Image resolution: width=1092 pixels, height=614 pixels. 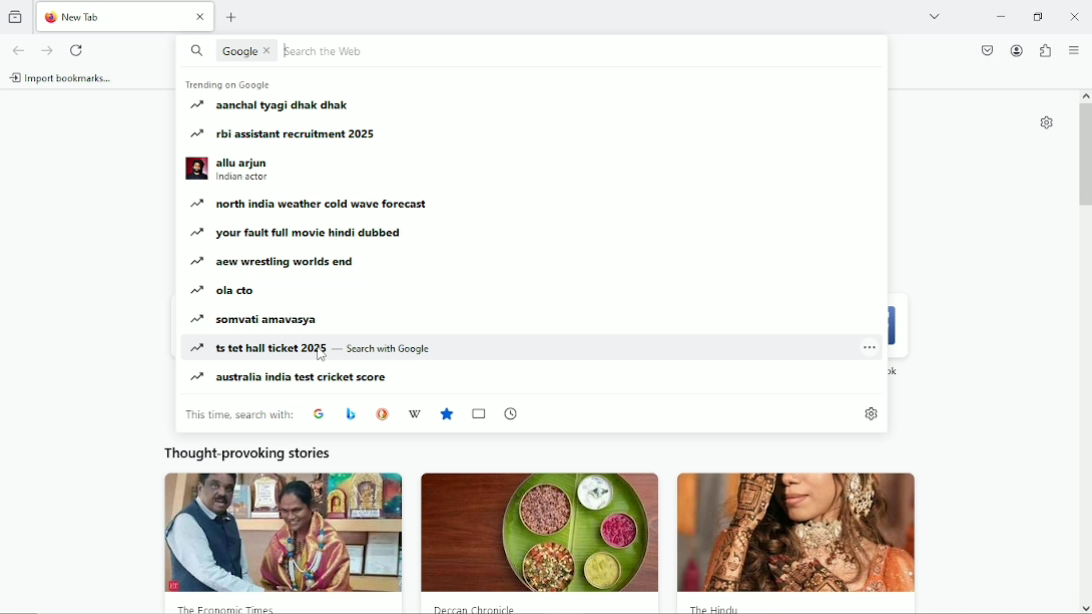 What do you see at coordinates (348, 413) in the screenshot?
I see `bing` at bounding box center [348, 413].